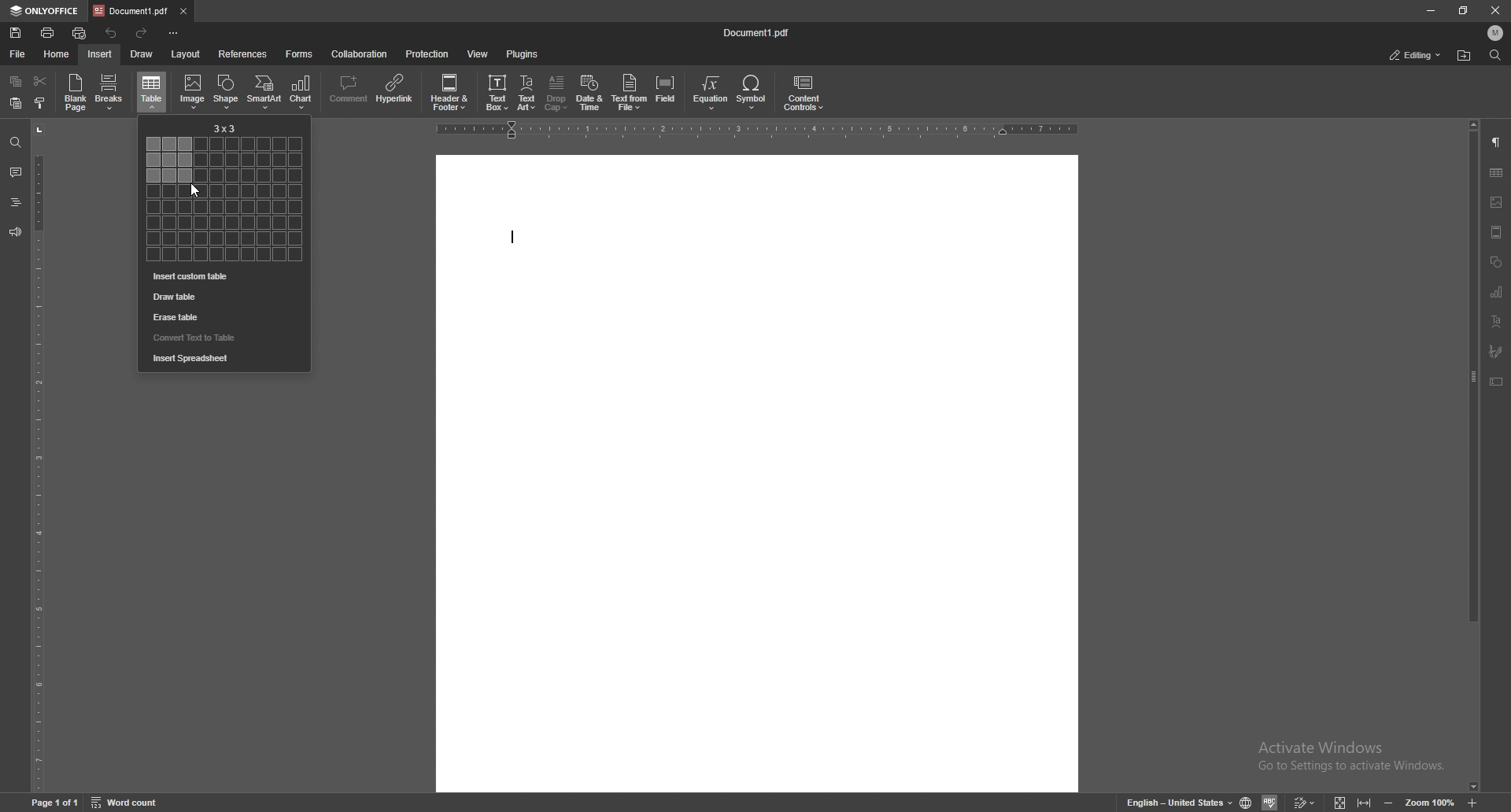 The image size is (1511, 812). I want to click on text from file, so click(630, 94).